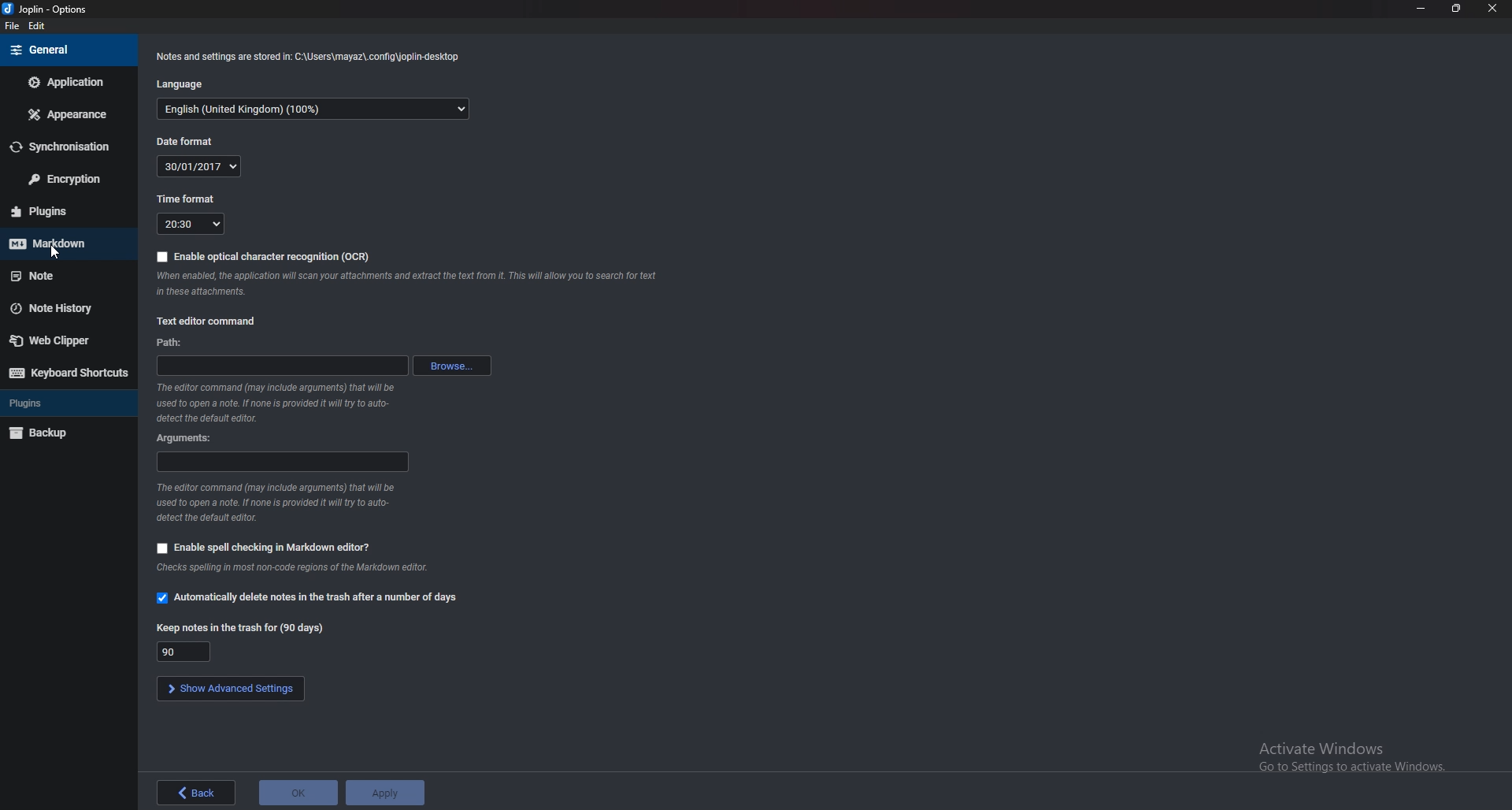  I want to click on Encryption, so click(70, 180).